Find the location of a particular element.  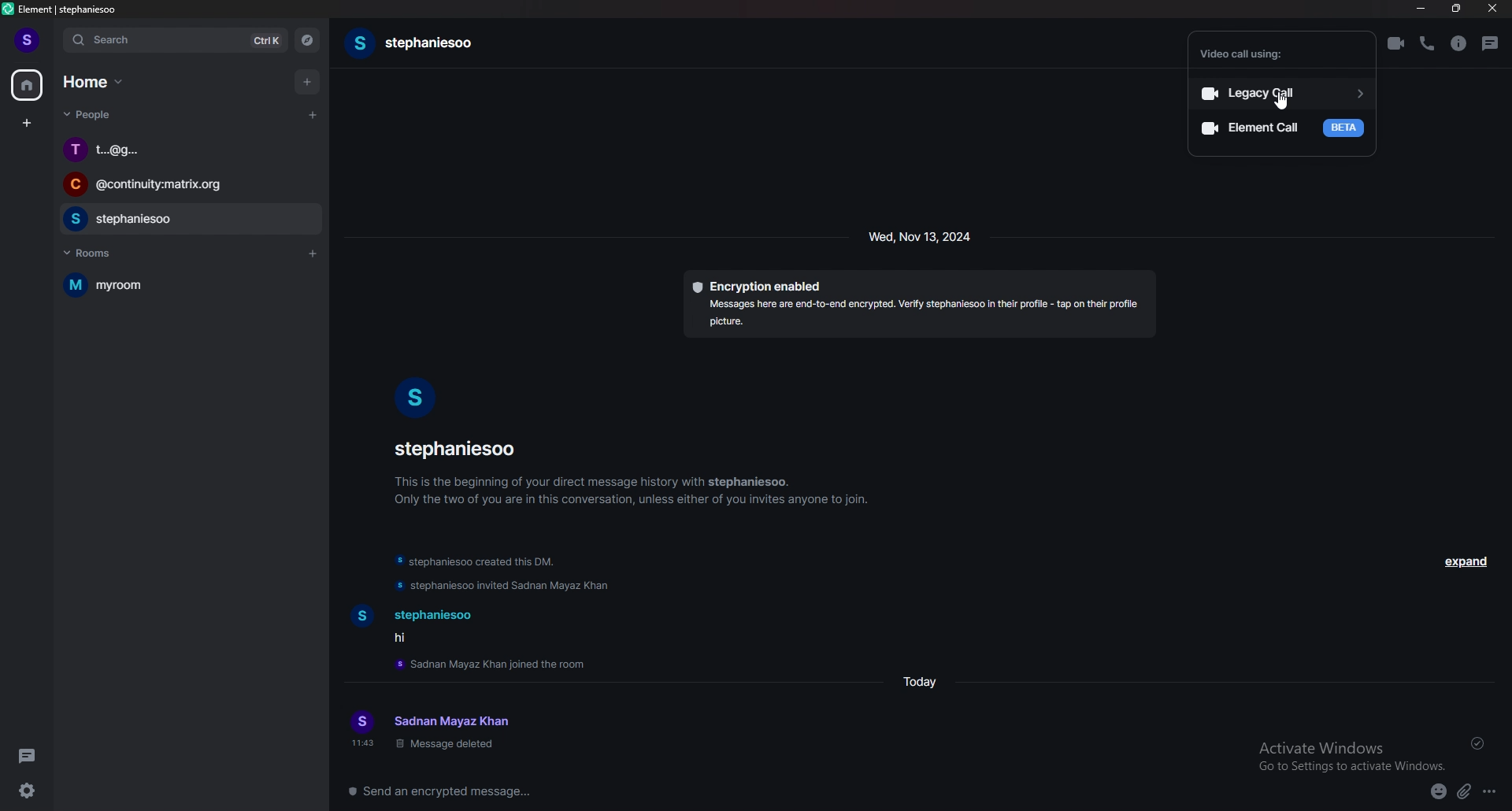

time is located at coordinates (360, 742).